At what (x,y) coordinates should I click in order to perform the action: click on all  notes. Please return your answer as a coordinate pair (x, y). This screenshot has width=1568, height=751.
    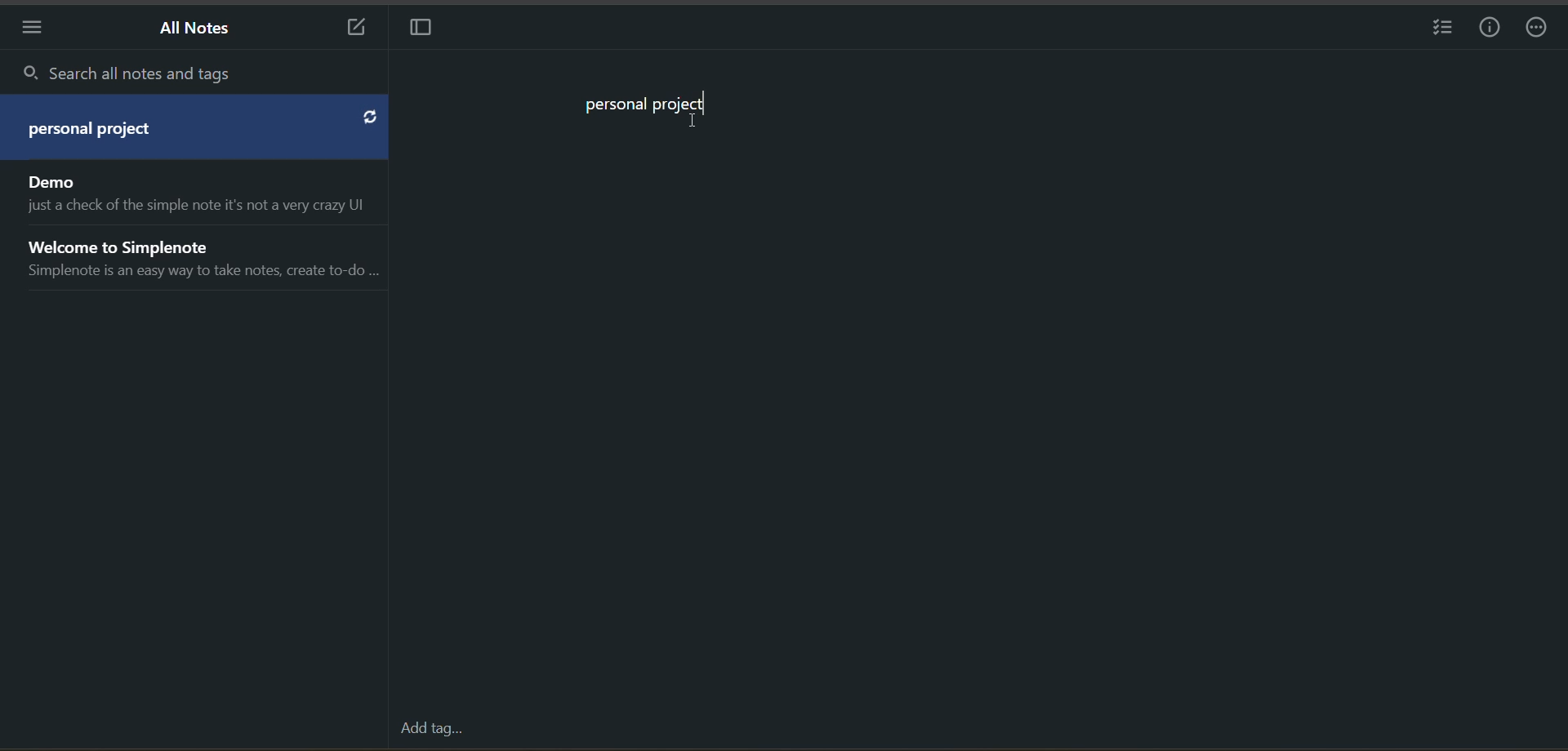
    Looking at the image, I should click on (196, 231).